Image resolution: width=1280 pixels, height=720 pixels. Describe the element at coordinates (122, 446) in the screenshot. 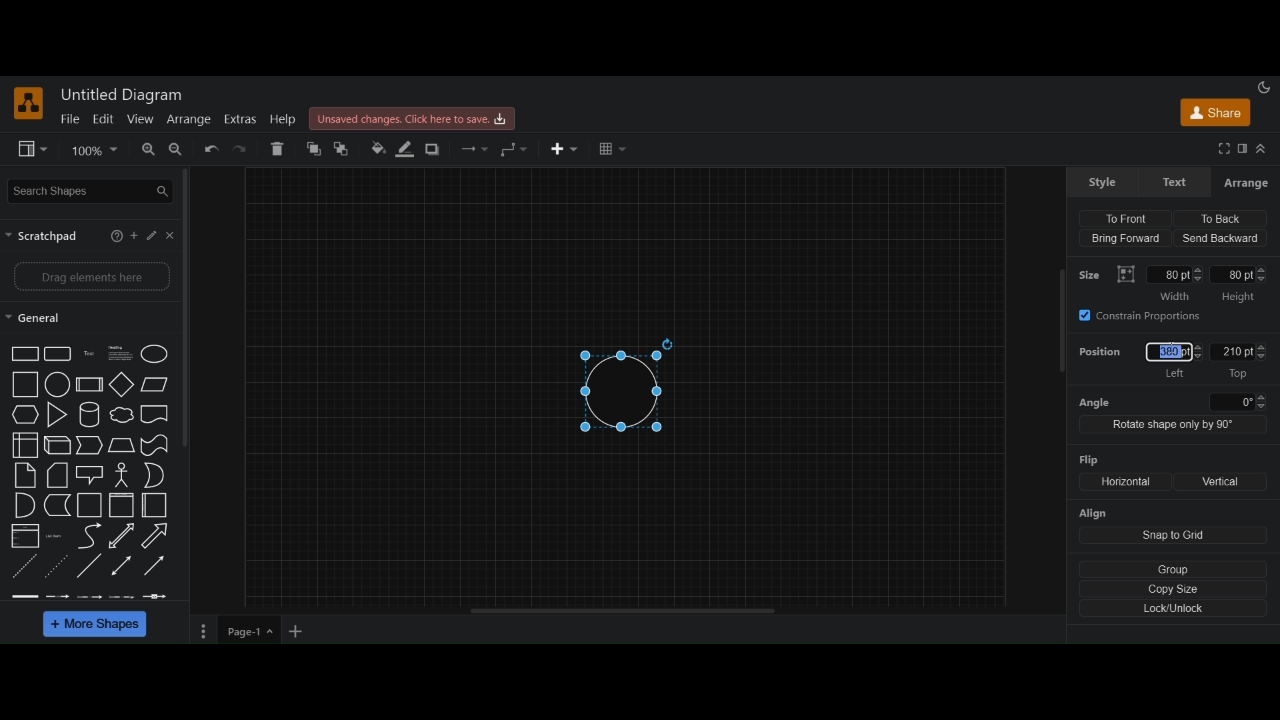

I see `Rombus` at that location.